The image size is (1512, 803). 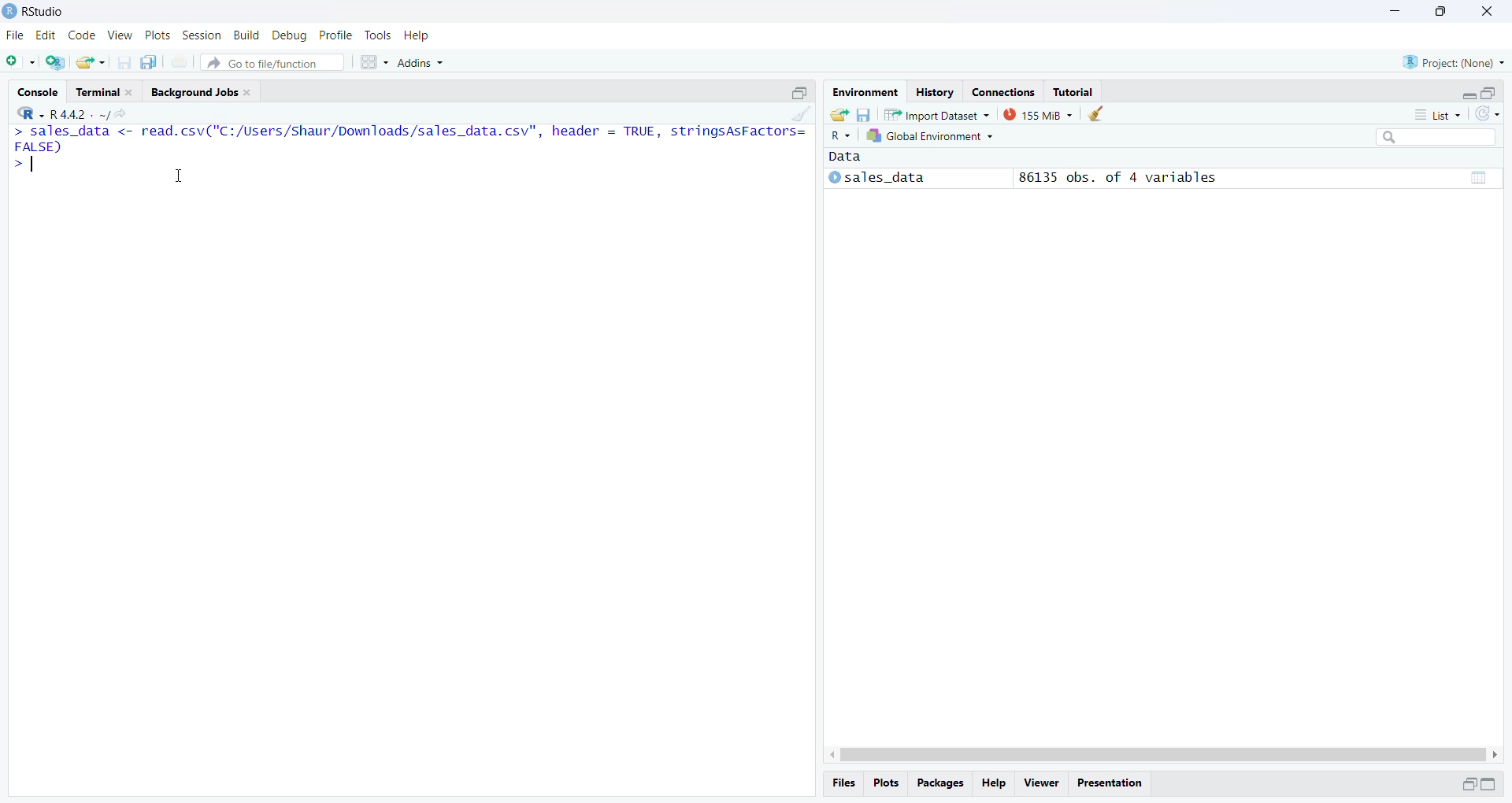 I want to click on Help, so click(x=417, y=35).